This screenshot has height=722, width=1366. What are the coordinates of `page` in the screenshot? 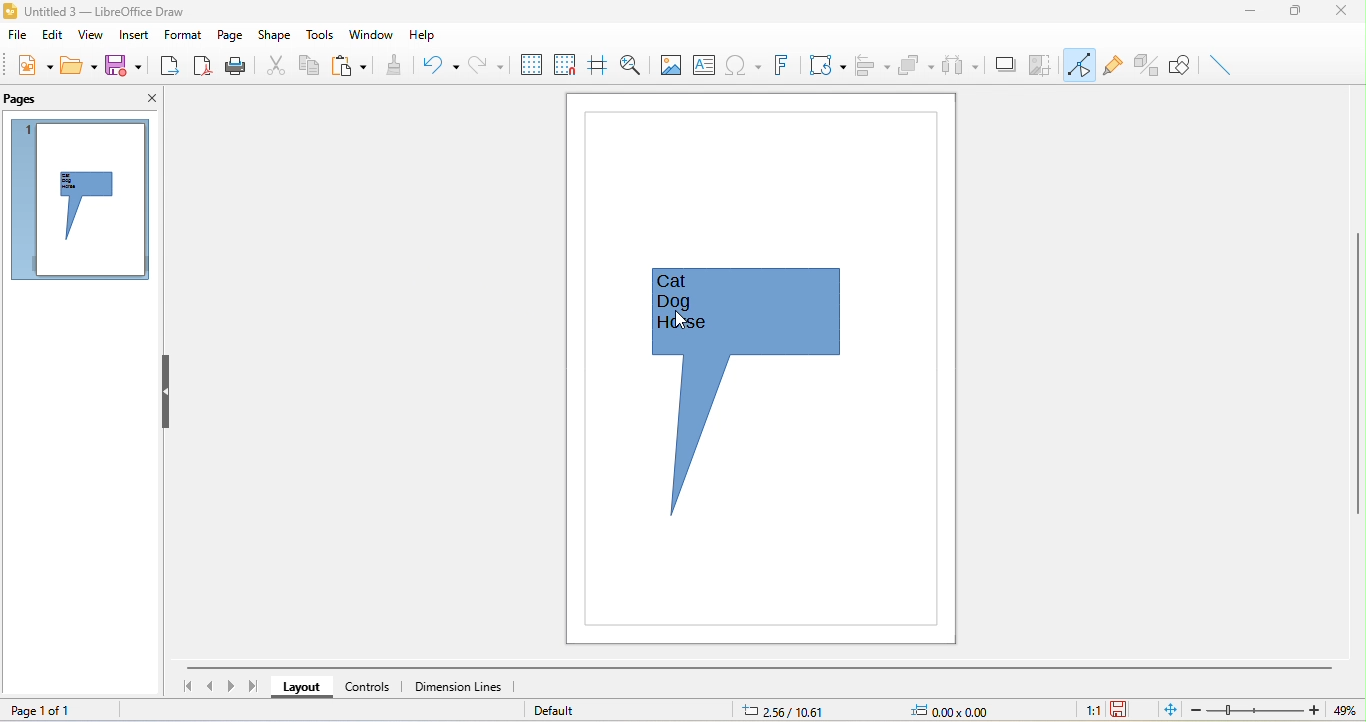 It's located at (229, 33).